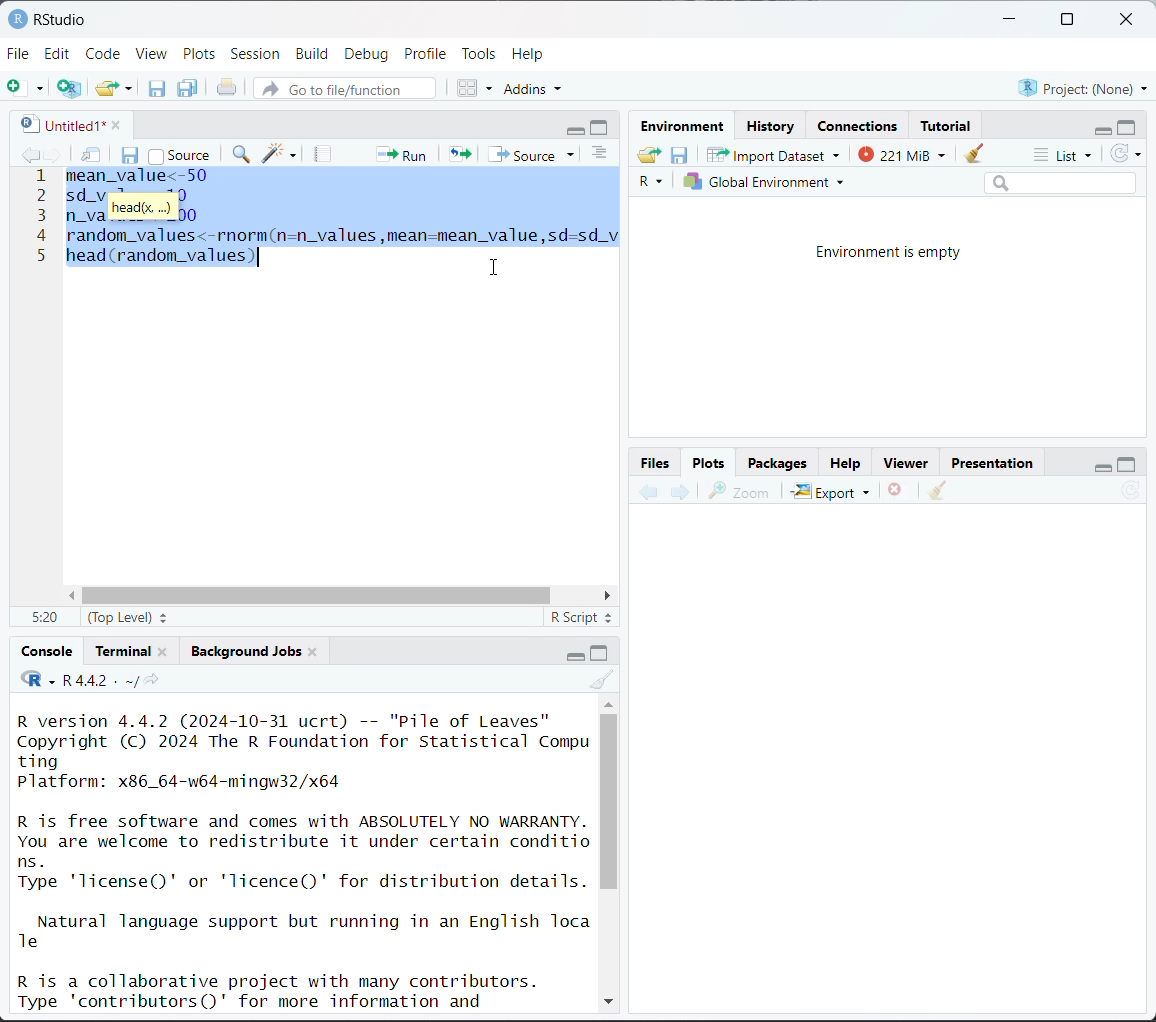  I want to click on R 4.4.2 . ~/, so click(99, 680).